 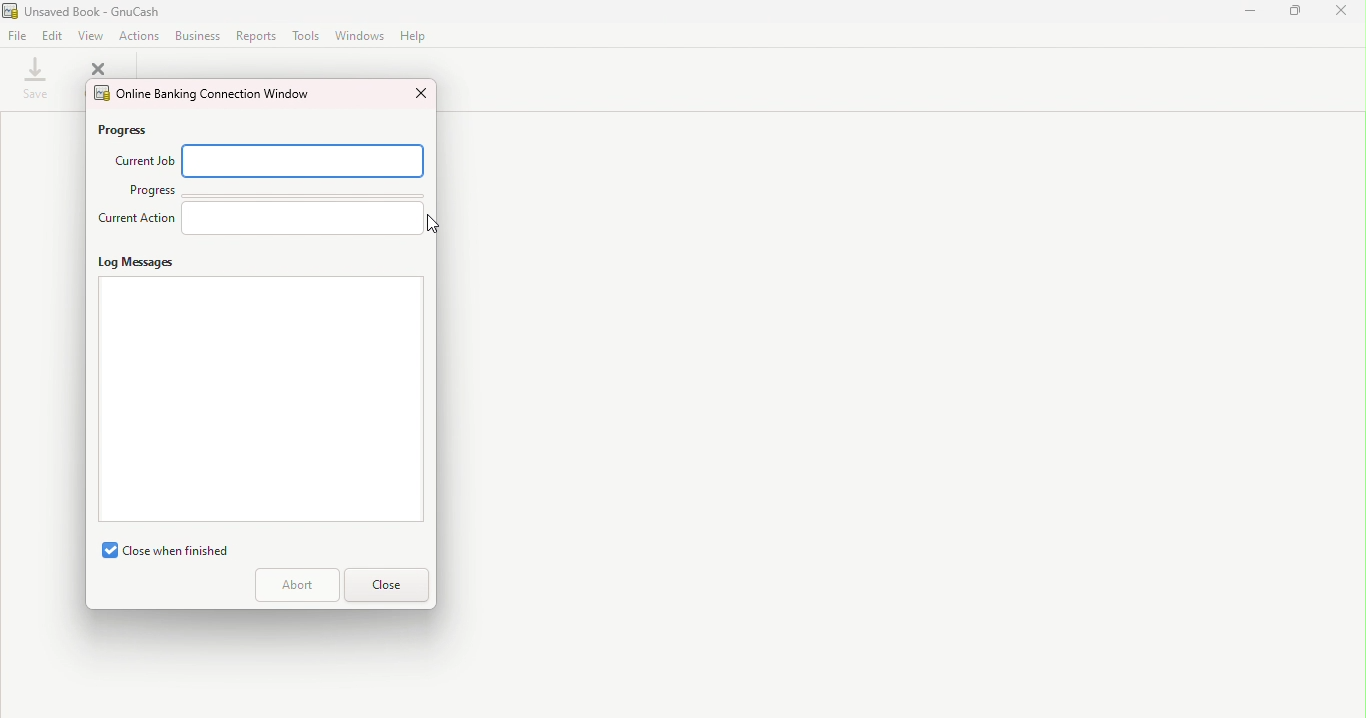 I want to click on Text box, so click(x=308, y=162).